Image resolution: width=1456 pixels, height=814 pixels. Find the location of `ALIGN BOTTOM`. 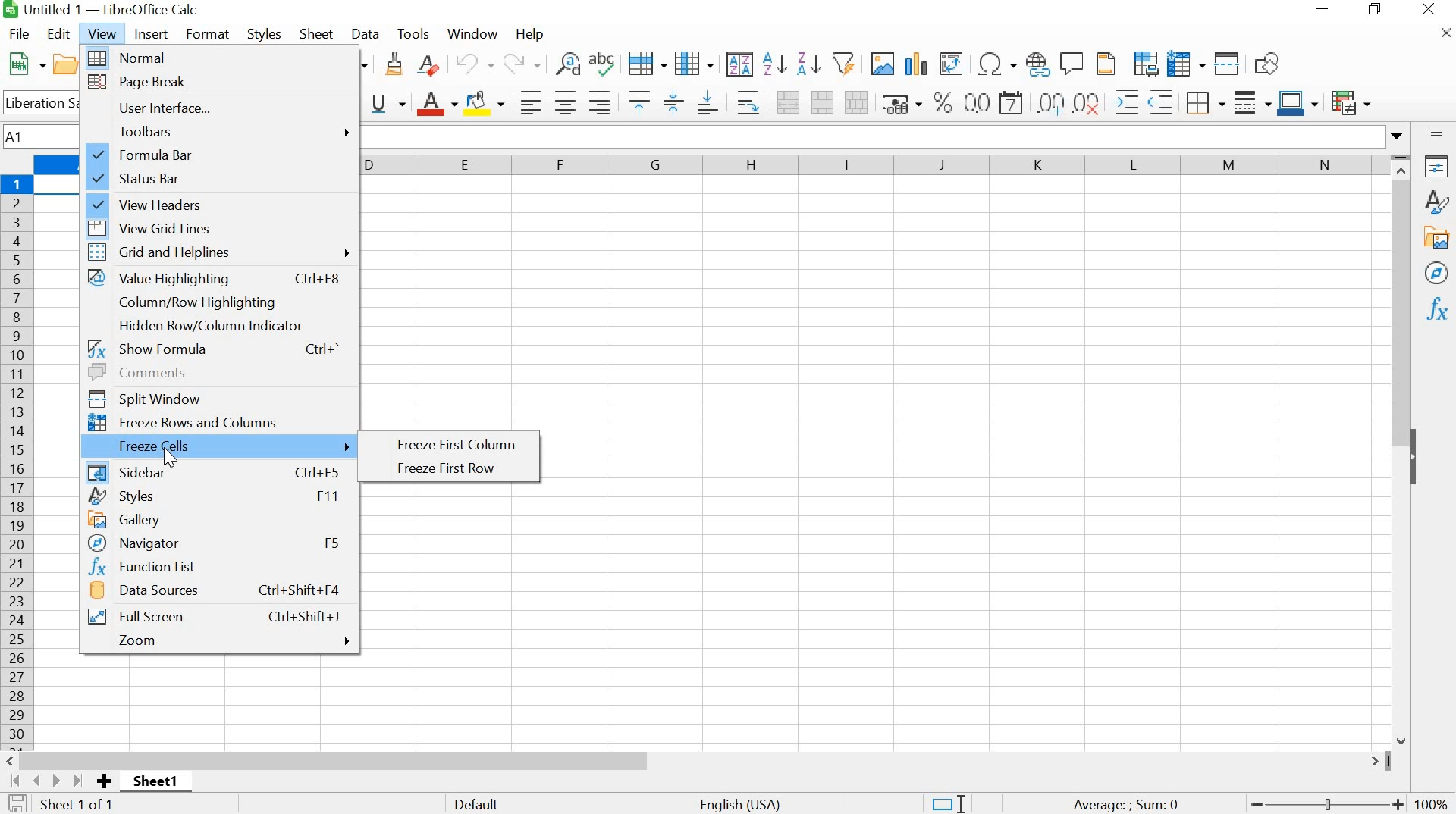

ALIGN BOTTOM is located at coordinates (708, 101).